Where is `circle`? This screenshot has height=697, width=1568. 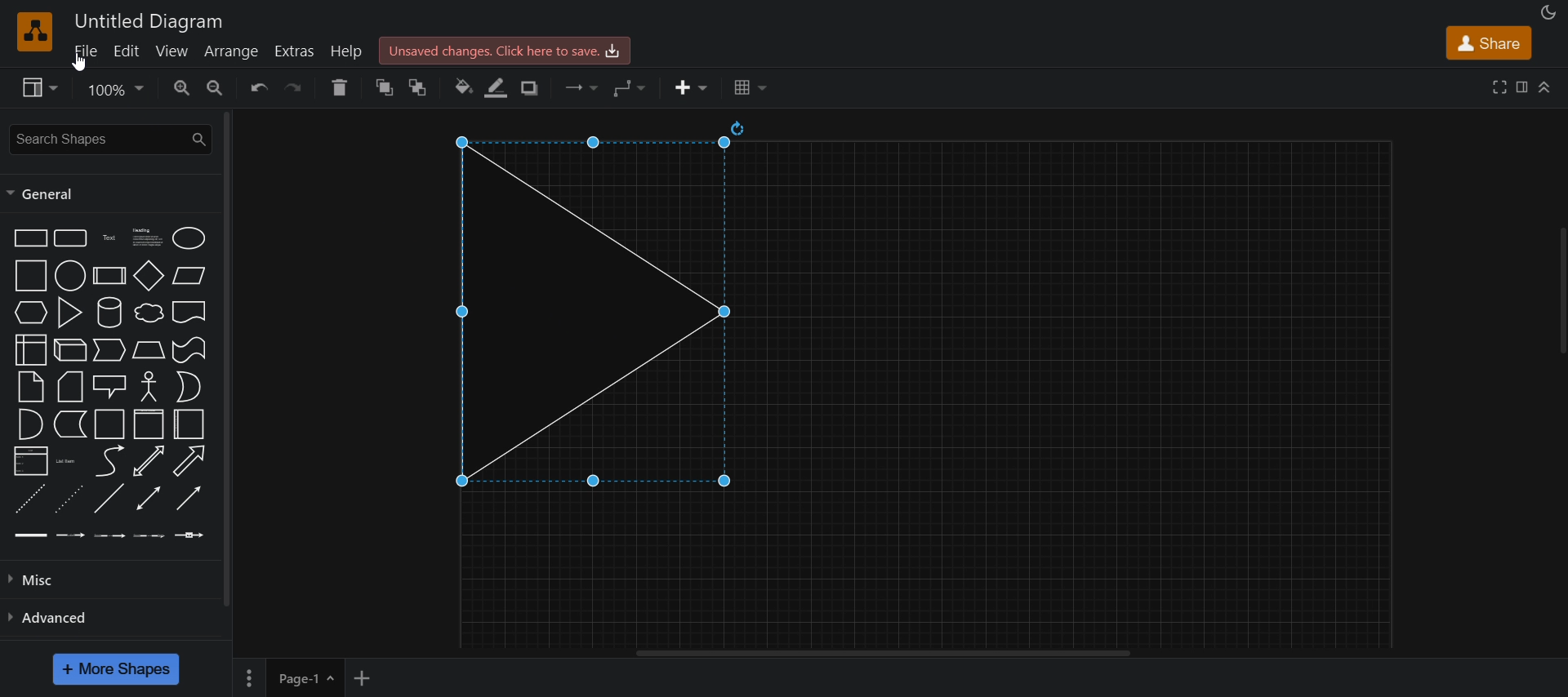
circle is located at coordinates (70, 274).